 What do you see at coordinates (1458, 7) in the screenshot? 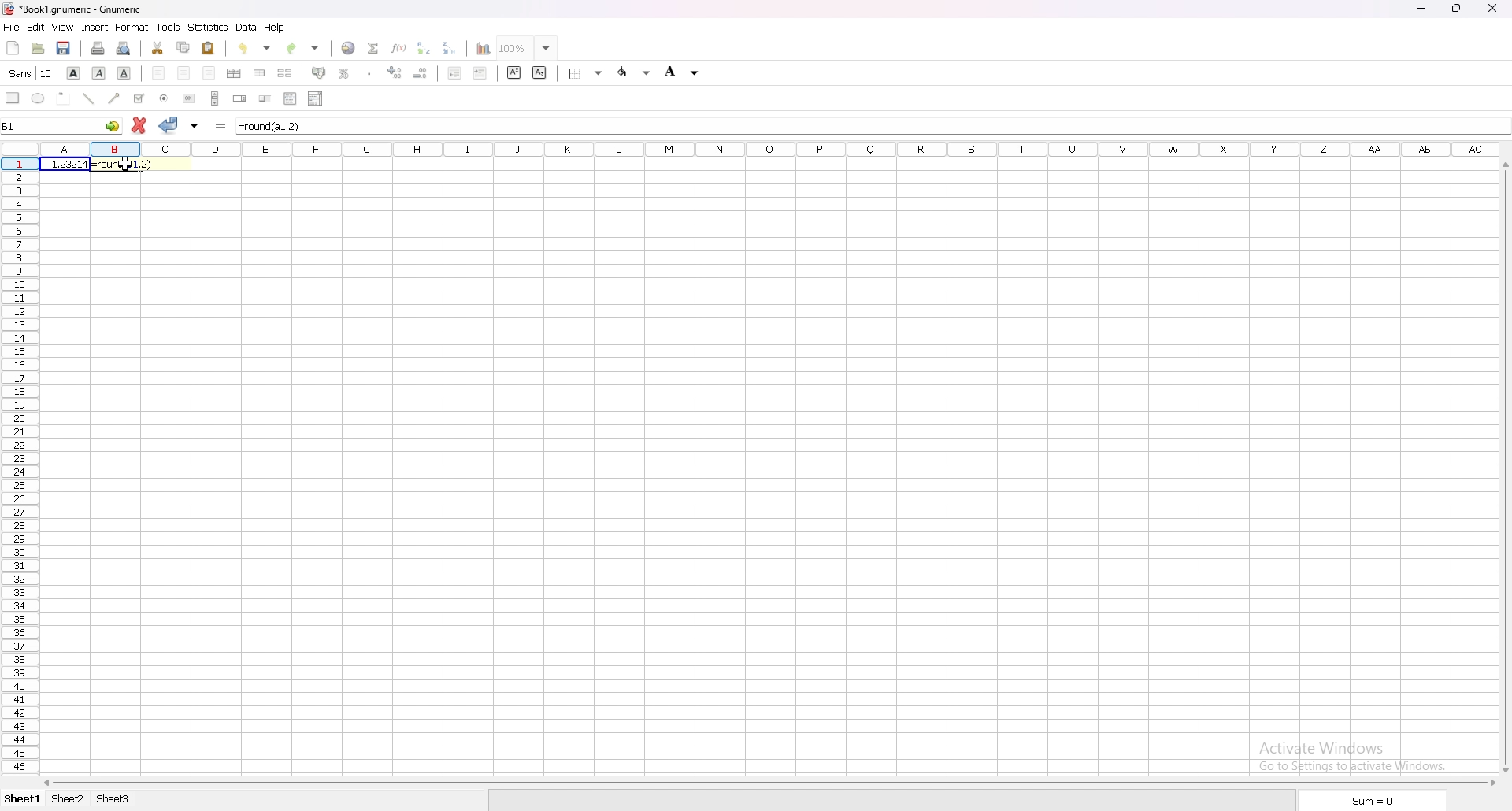
I see `resize` at bounding box center [1458, 7].